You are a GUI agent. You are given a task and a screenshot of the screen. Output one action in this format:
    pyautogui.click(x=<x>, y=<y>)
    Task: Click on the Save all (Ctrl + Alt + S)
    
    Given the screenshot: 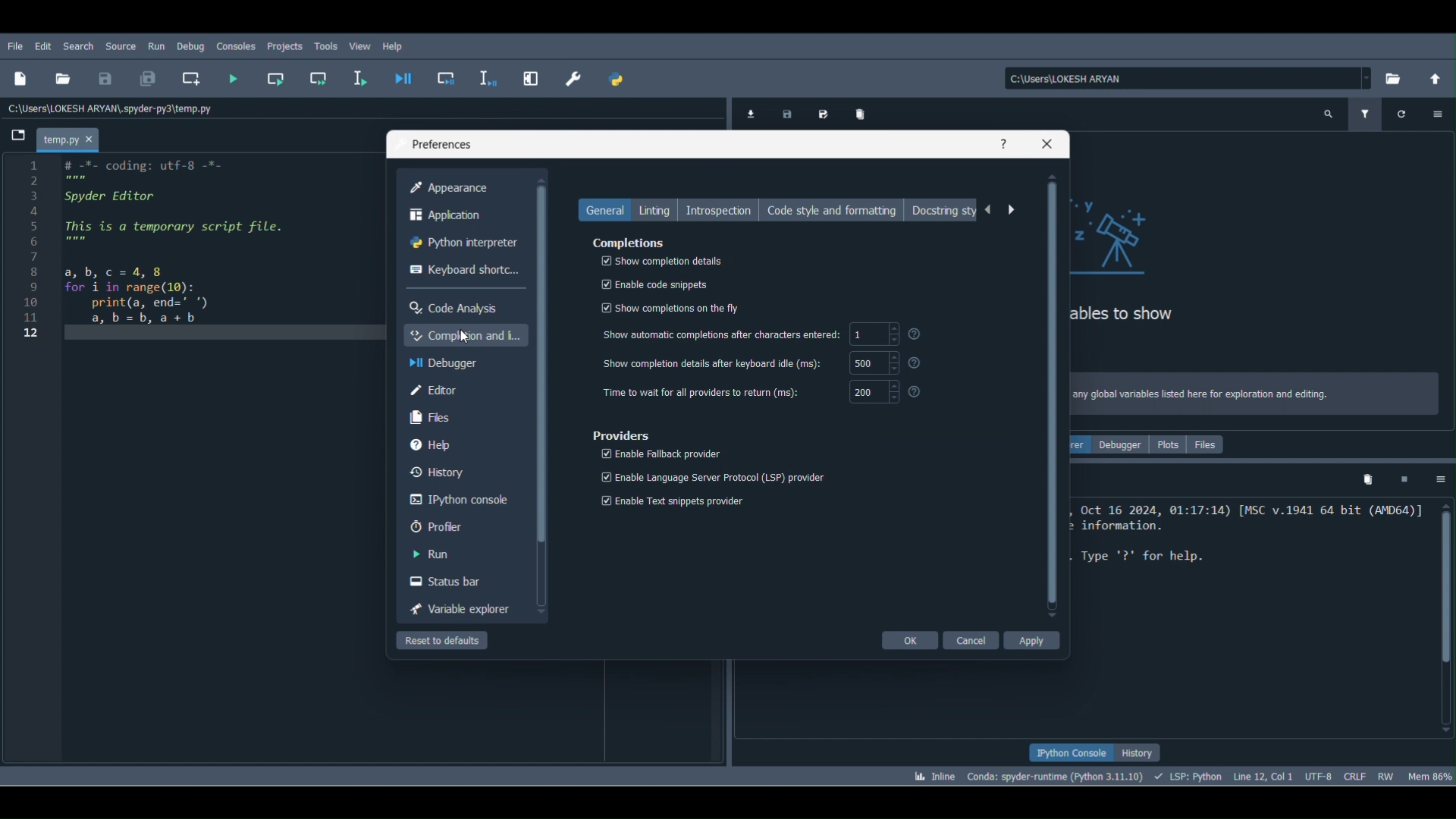 What is the action you would take?
    pyautogui.click(x=154, y=80)
    